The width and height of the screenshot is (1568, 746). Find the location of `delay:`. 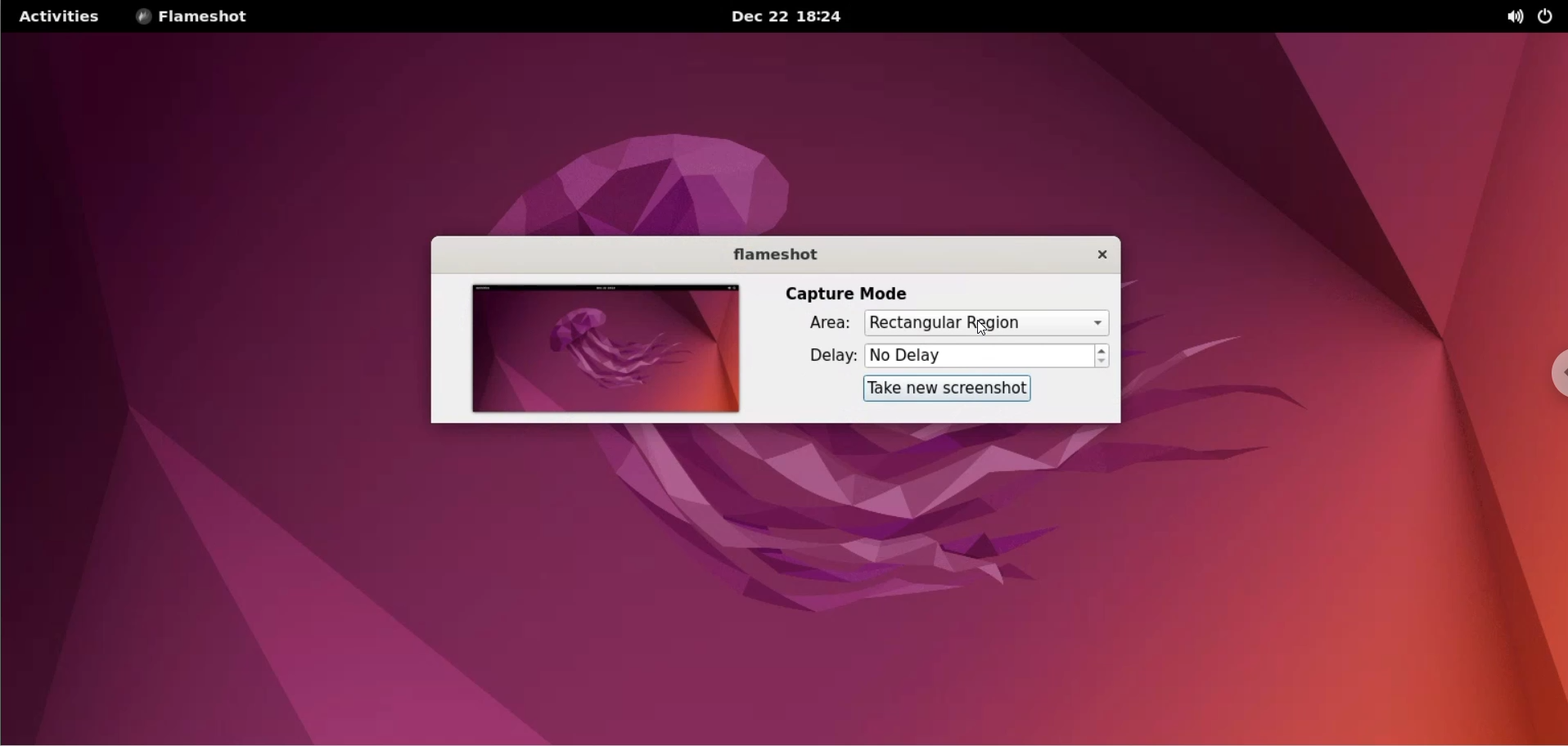

delay: is located at coordinates (821, 355).